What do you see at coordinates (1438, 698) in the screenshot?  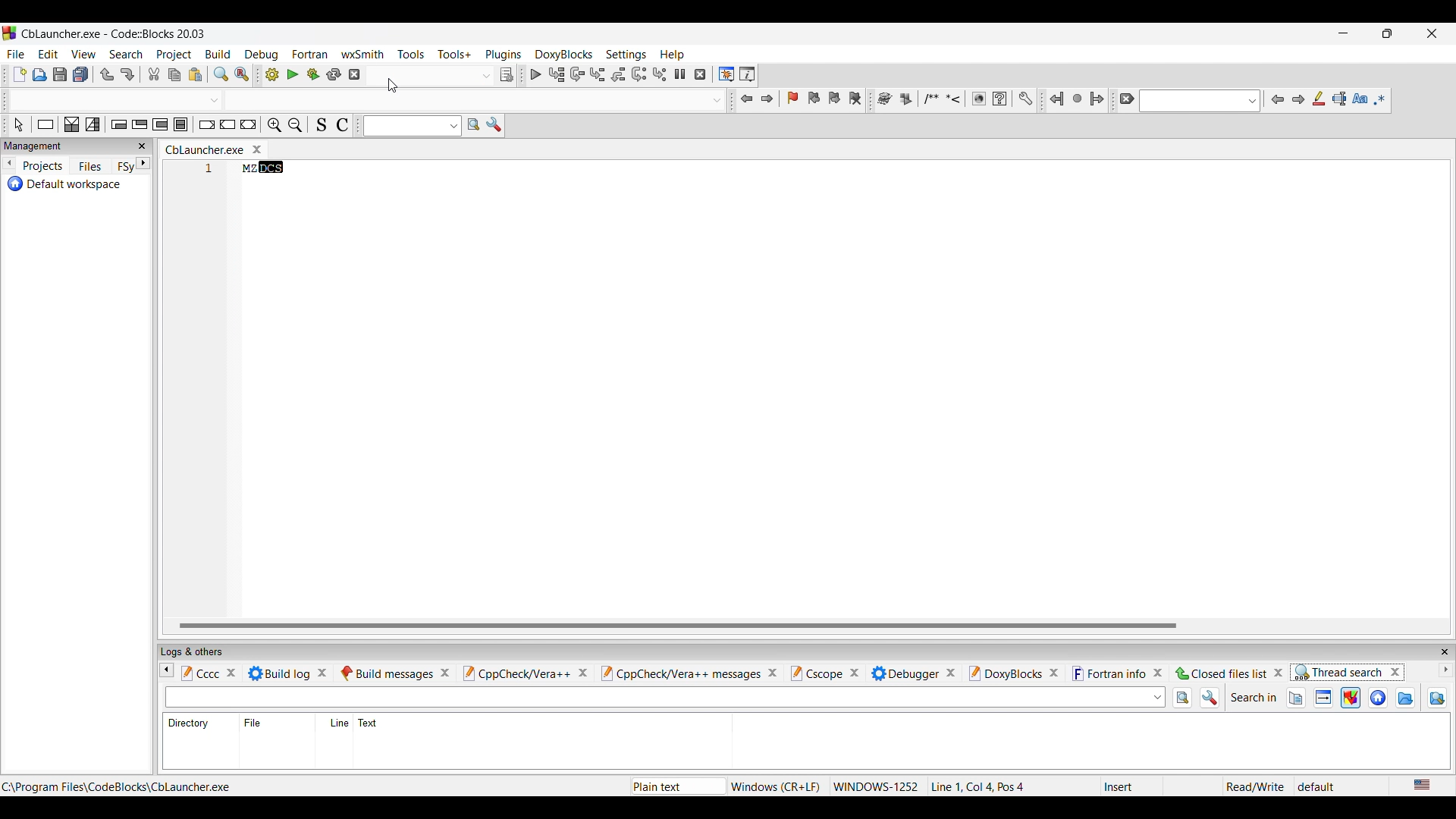 I see `Show dir items` at bounding box center [1438, 698].